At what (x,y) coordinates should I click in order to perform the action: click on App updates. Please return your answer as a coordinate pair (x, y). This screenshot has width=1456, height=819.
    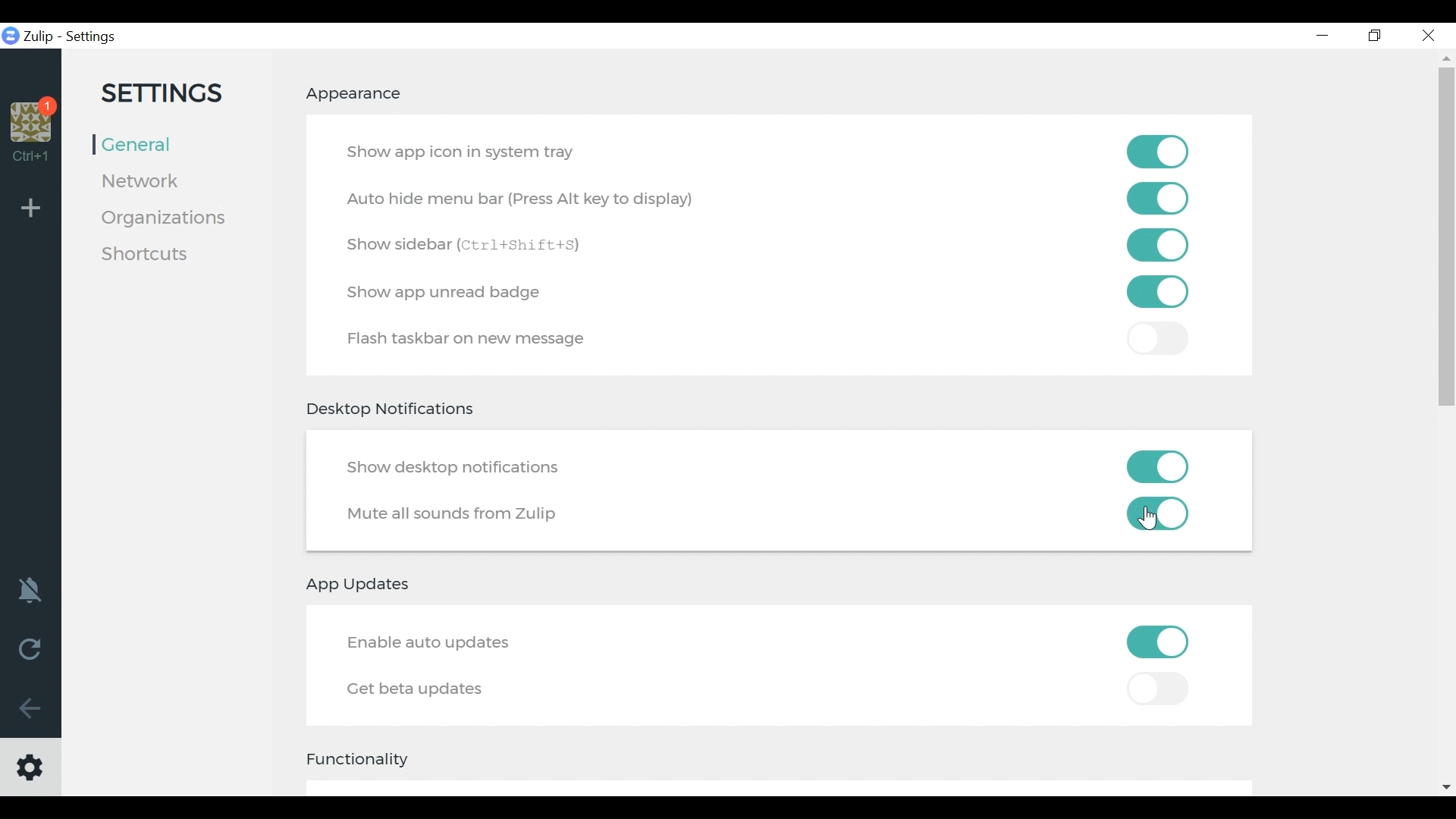
    Looking at the image, I should click on (362, 584).